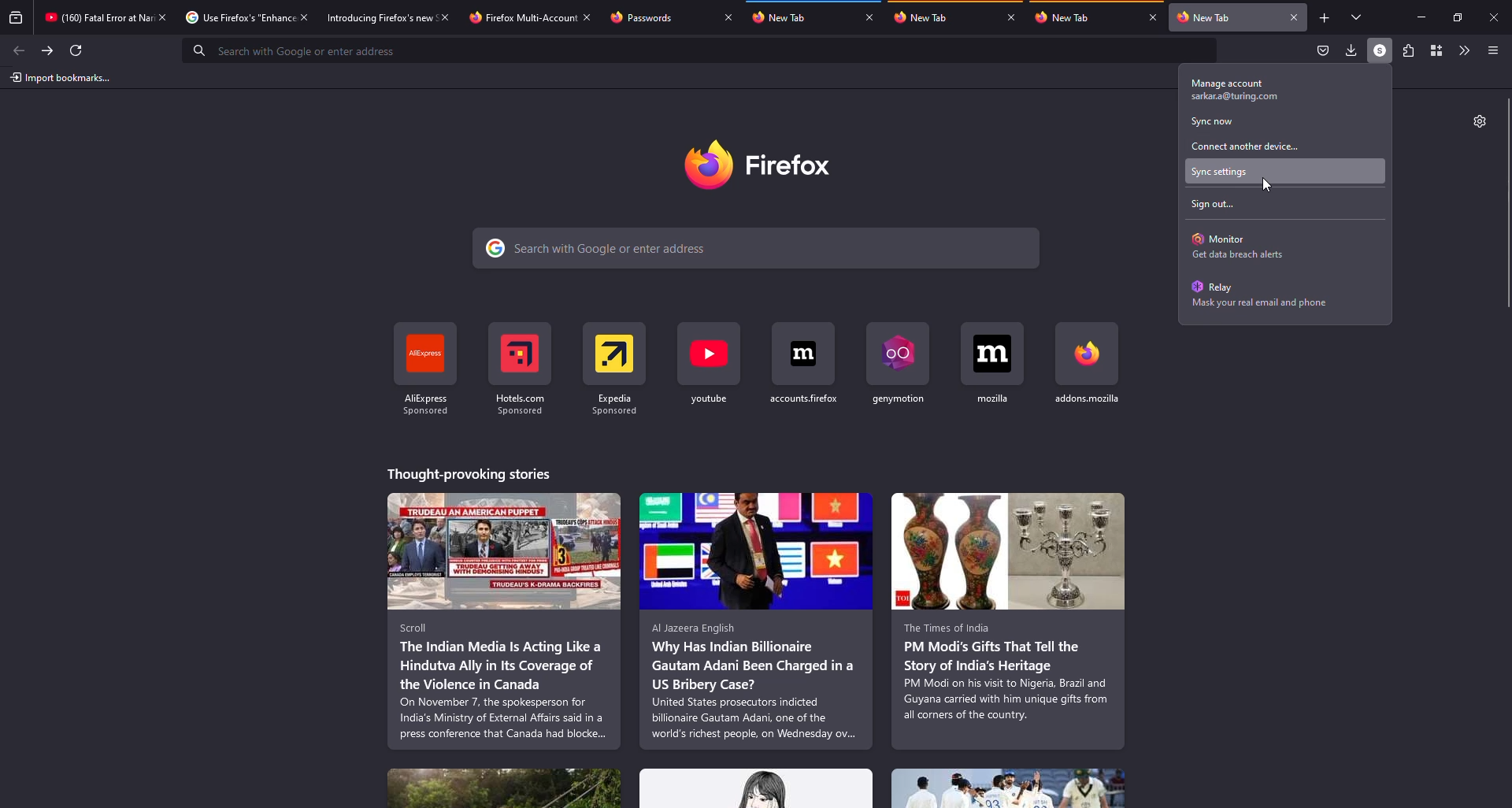 The width and height of the screenshot is (1512, 808). Describe the element at coordinates (1151, 17) in the screenshot. I see `close` at that location.